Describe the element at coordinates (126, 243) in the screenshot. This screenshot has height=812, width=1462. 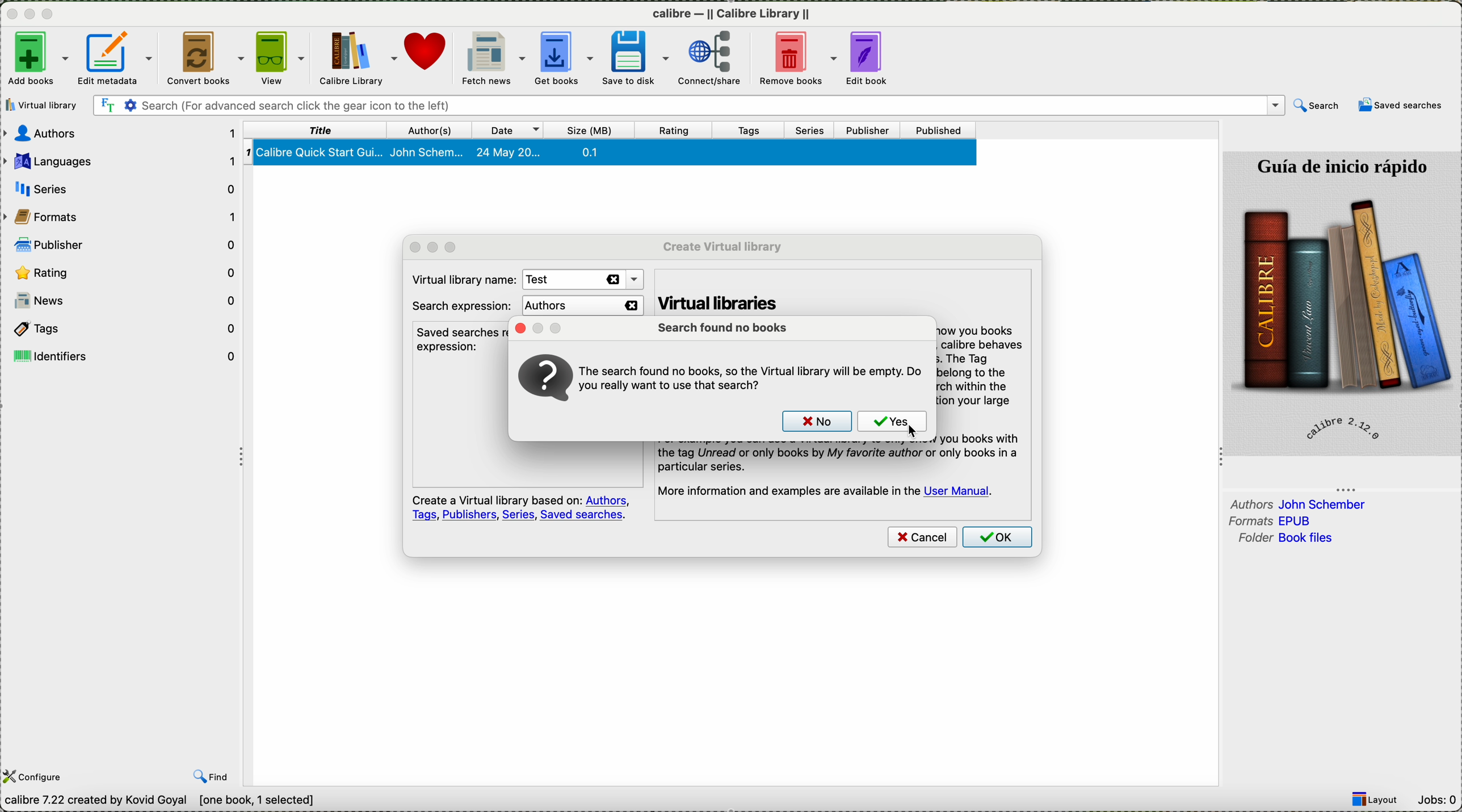
I see `publisher` at that location.